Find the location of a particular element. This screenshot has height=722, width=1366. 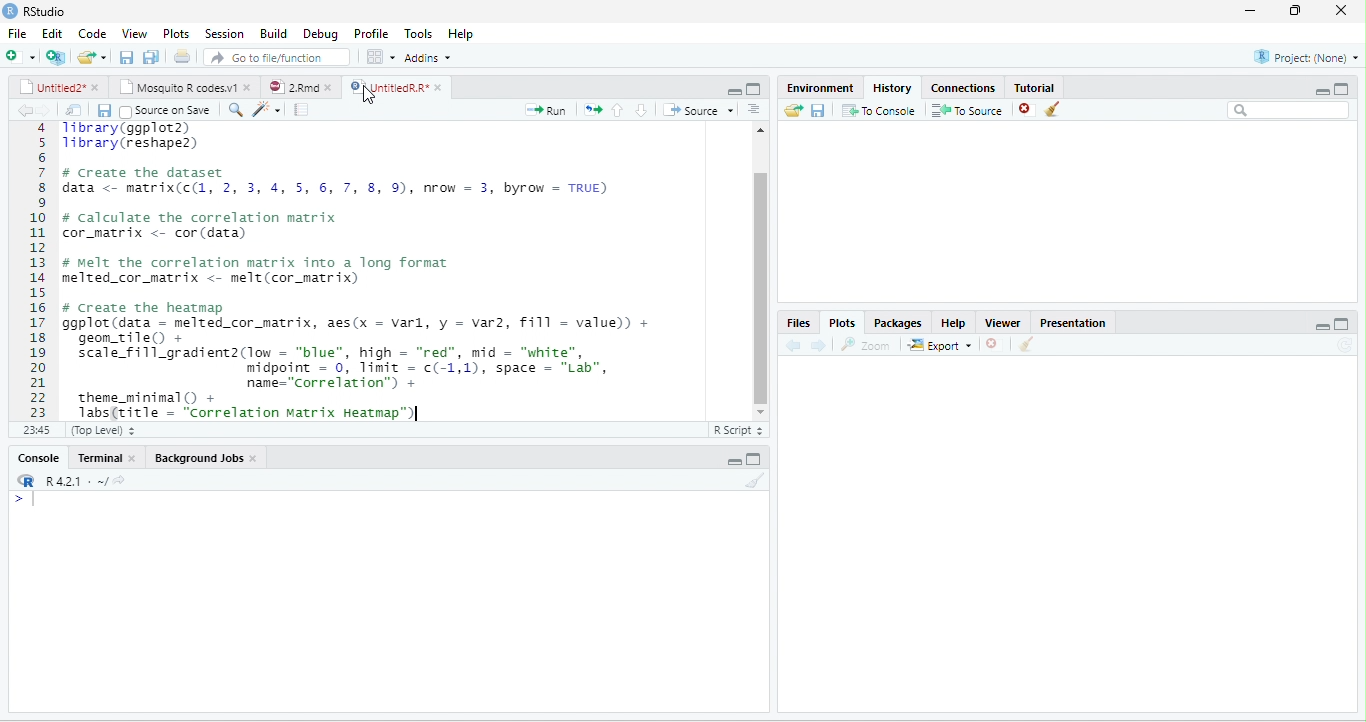

addins is located at coordinates (432, 57).